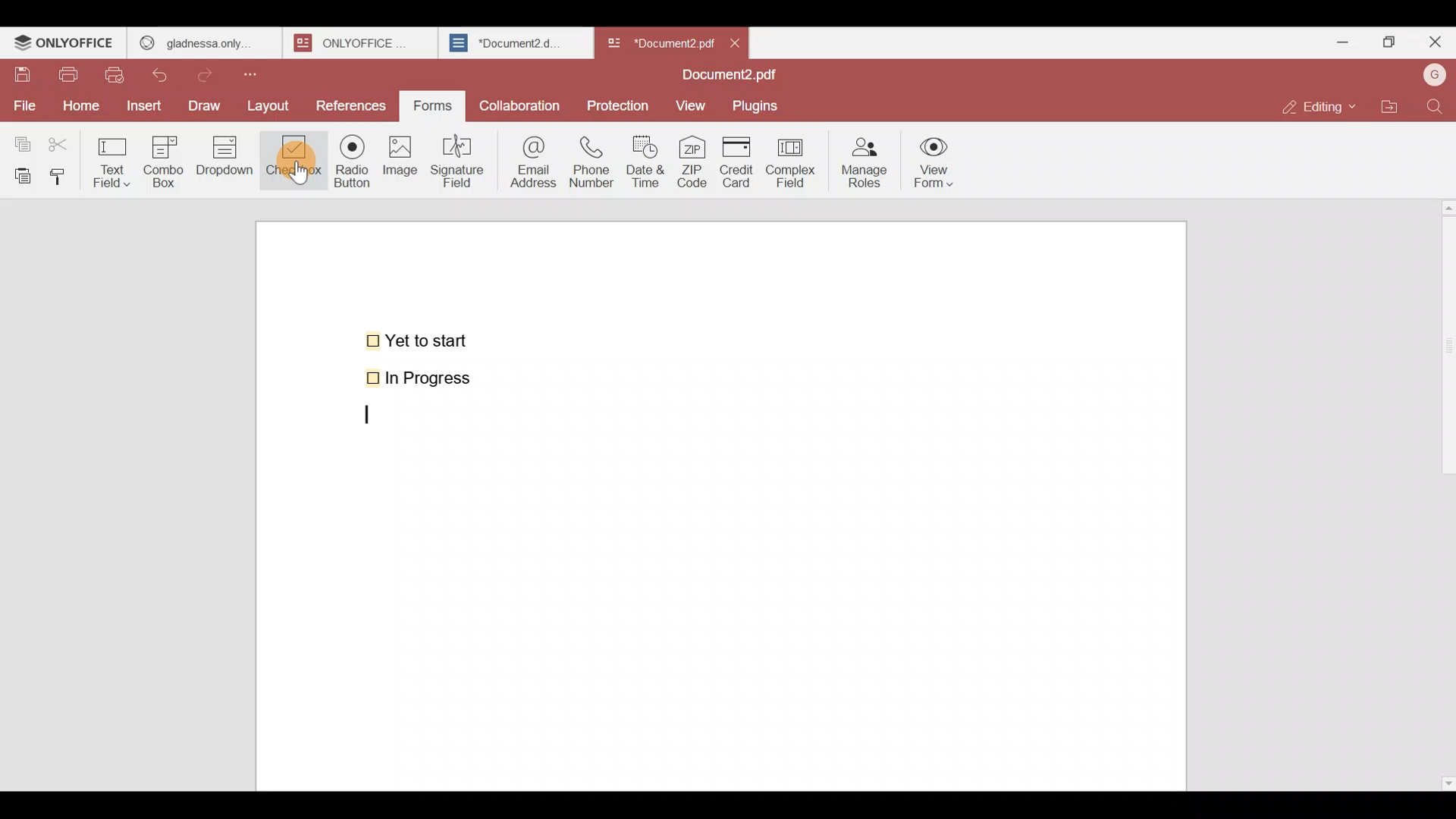  Describe the element at coordinates (20, 140) in the screenshot. I see `Copy` at that location.